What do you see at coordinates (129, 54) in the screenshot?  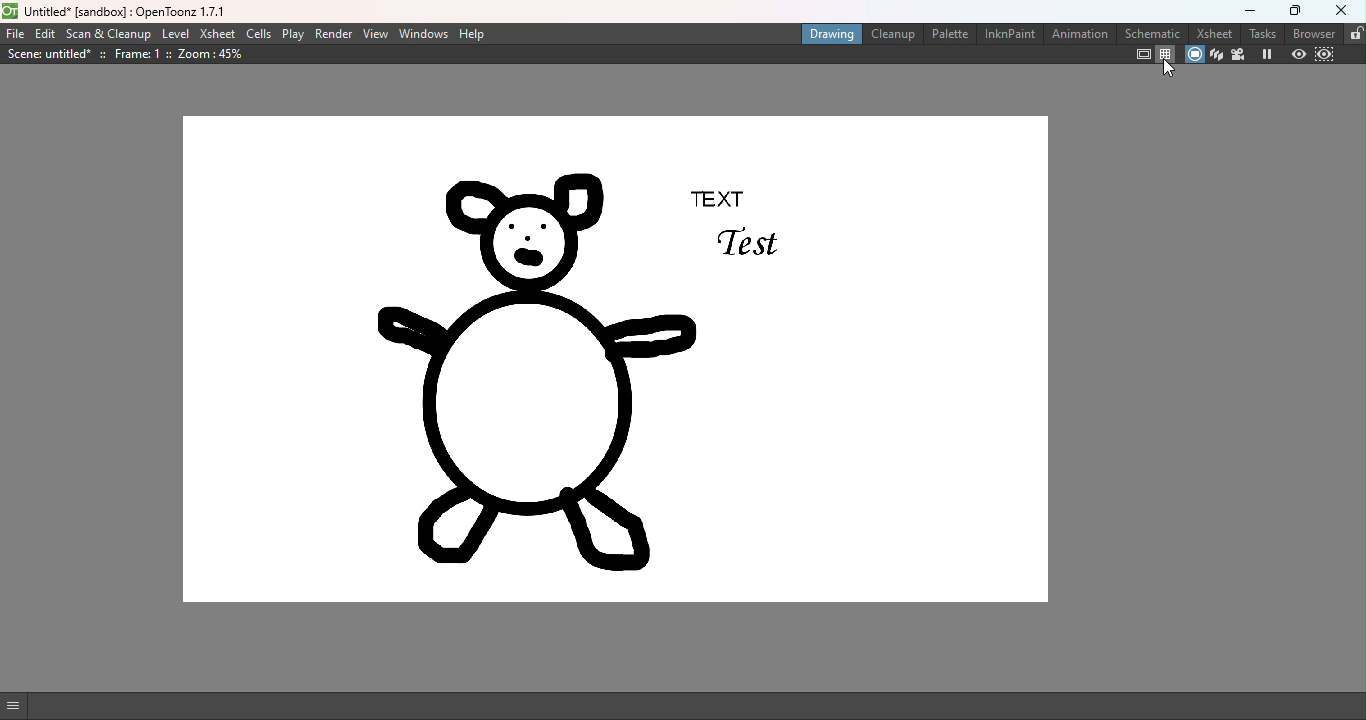 I see `Scene details` at bounding box center [129, 54].